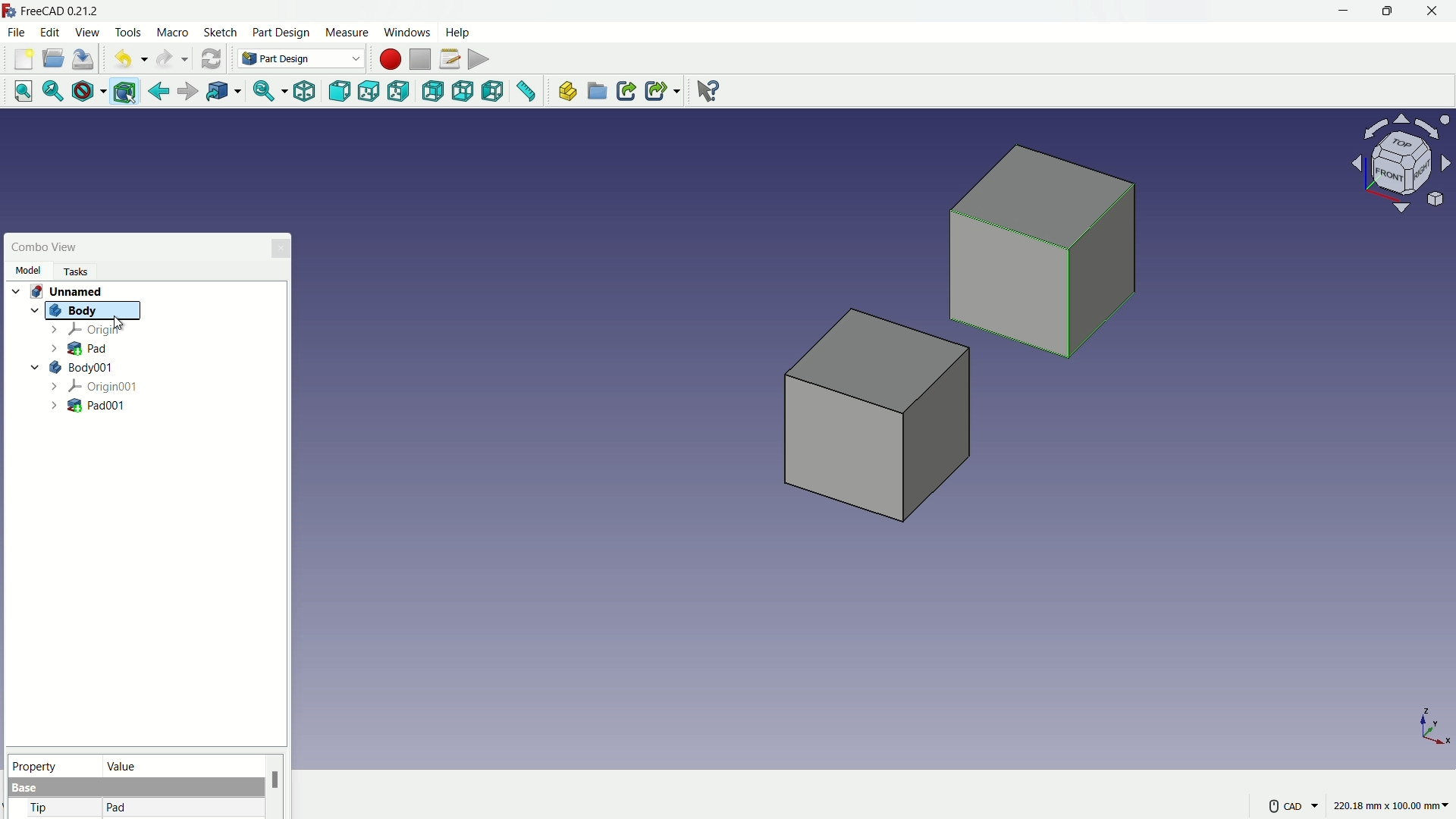  I want to click on 220.18 mm x 100.00 mm~, so click(1391, 805).